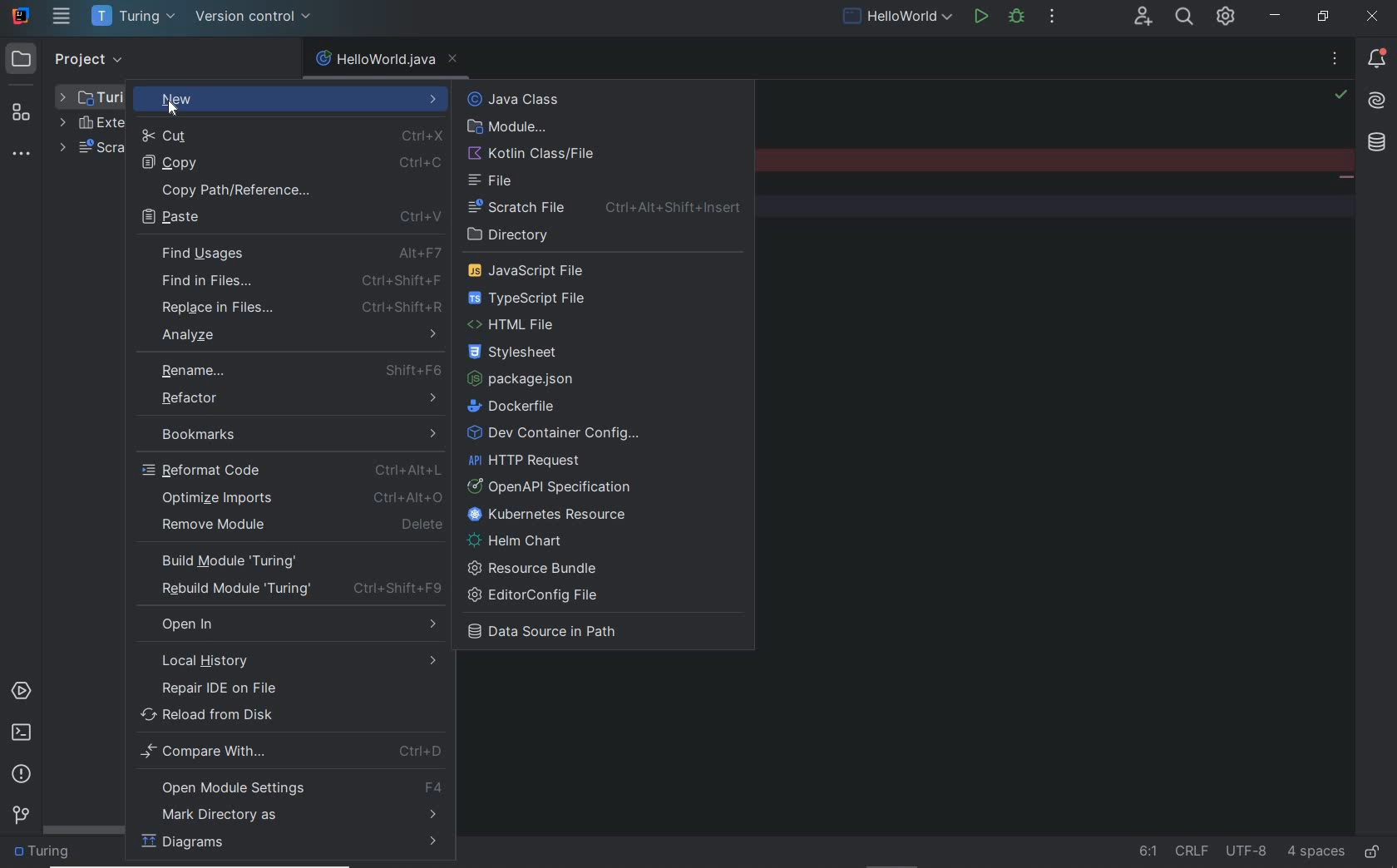 This screenshot has width=1397, height=868. What do you see at coordinates (299, 333) in the screenshot?
I see `analyze` at bounding box center [299, 333].